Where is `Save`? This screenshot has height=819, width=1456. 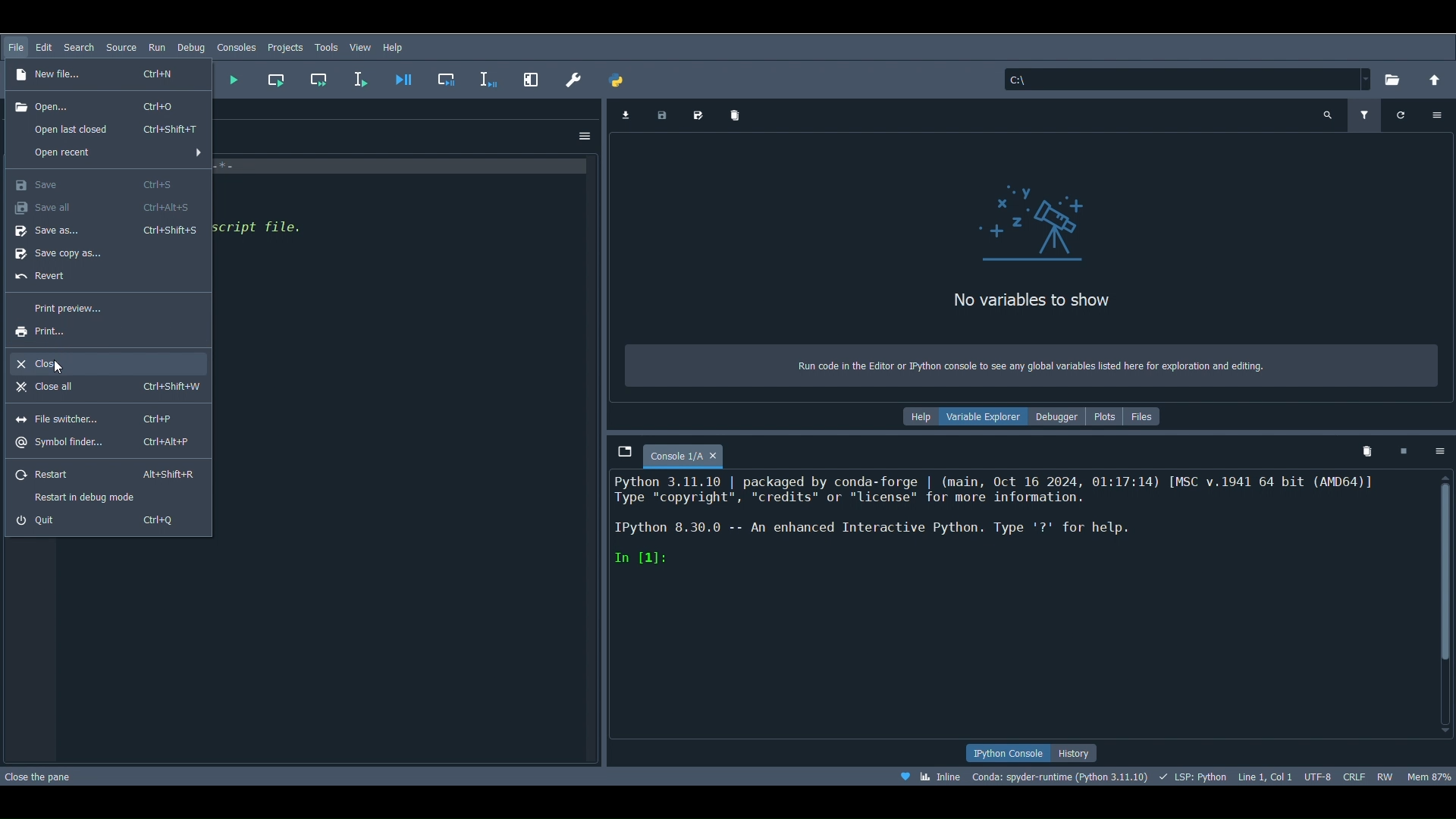 Save is located at coordinates (92, 184).